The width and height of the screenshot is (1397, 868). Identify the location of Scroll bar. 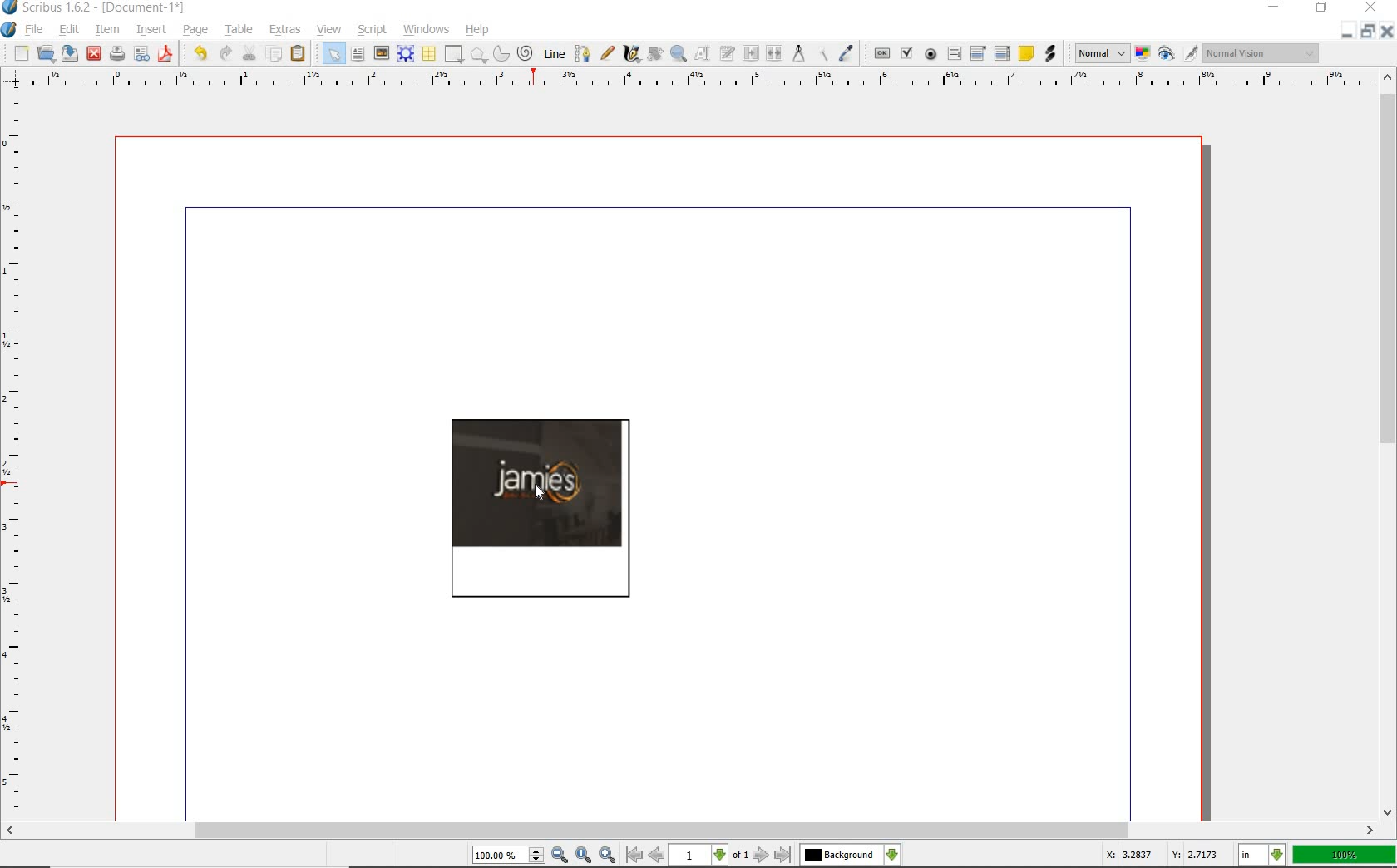
(690, 830).